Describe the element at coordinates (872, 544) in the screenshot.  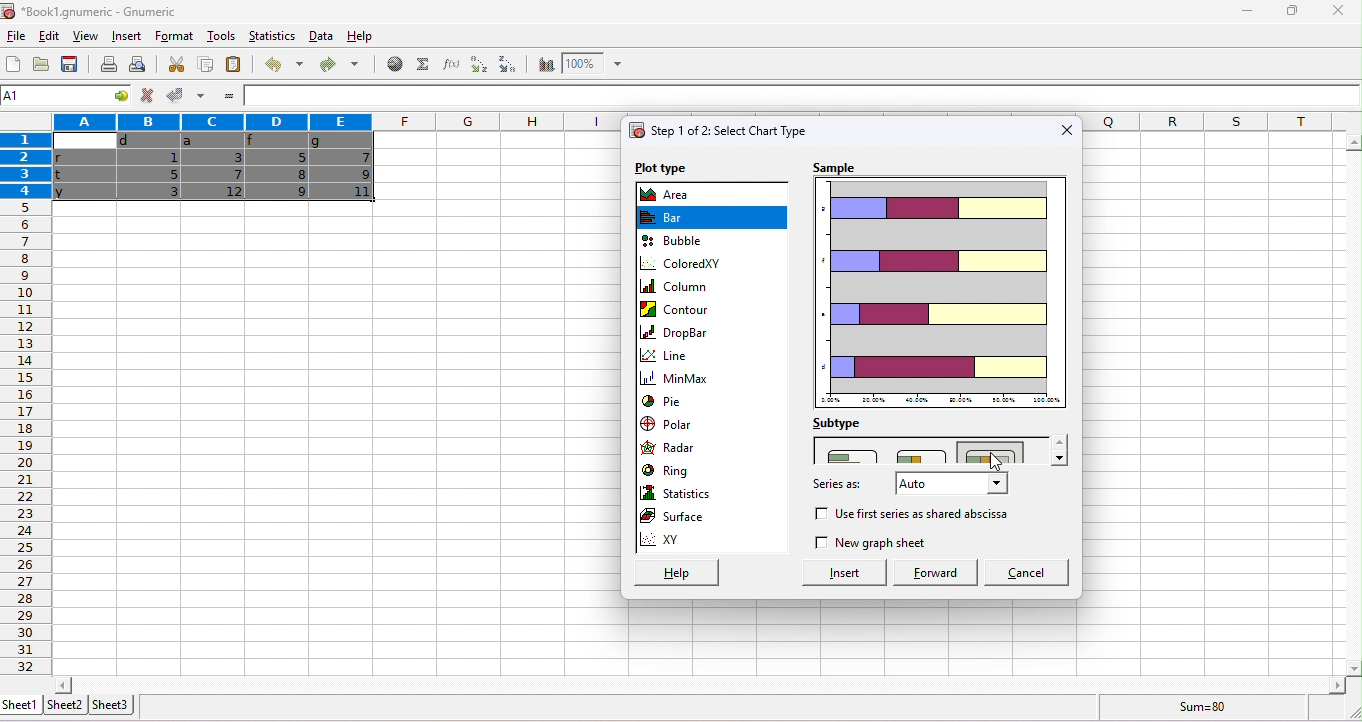
I see `new graph sheet` at that location.